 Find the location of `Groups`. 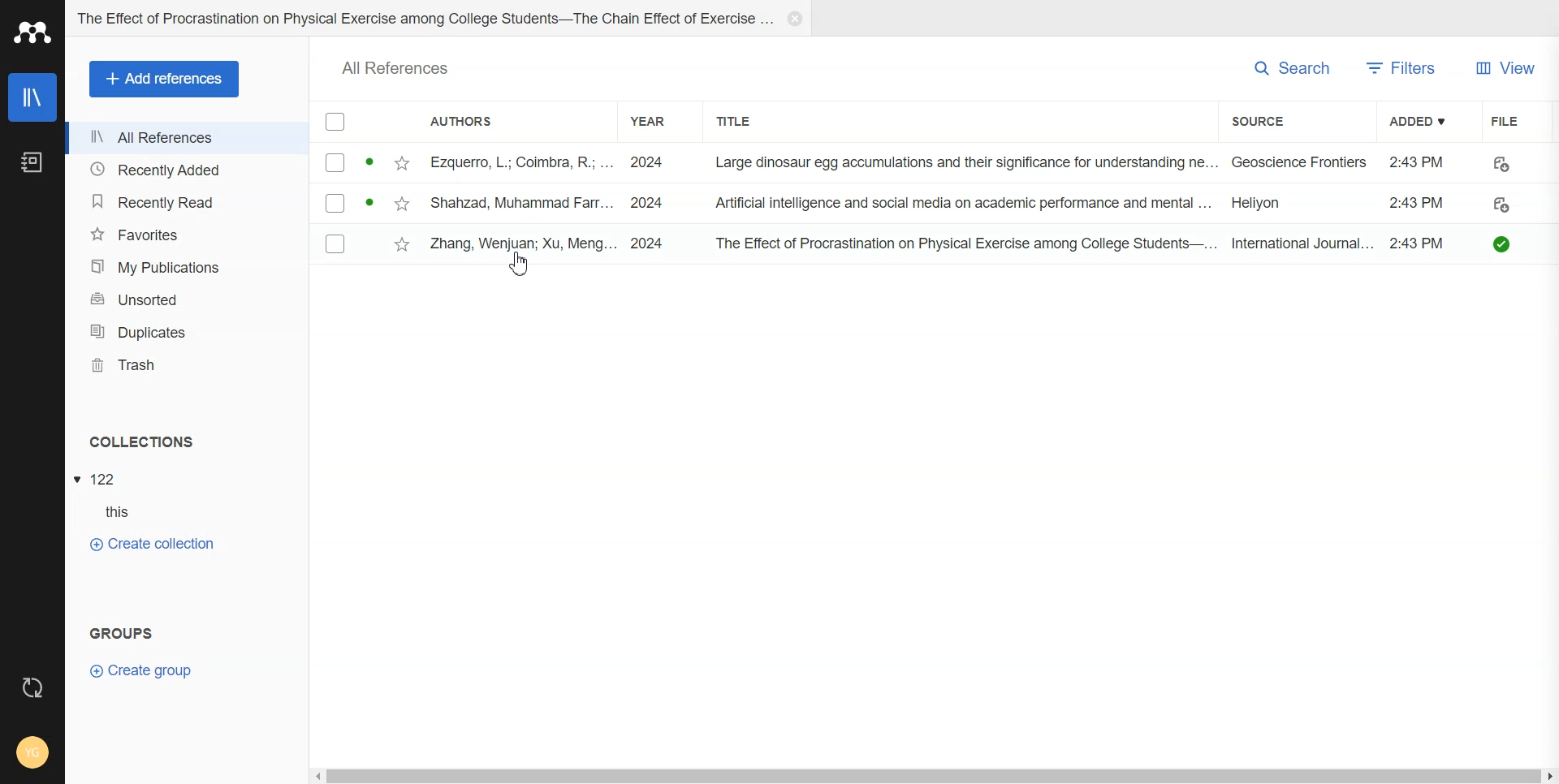

Groups is located at coordinates (118, 632).